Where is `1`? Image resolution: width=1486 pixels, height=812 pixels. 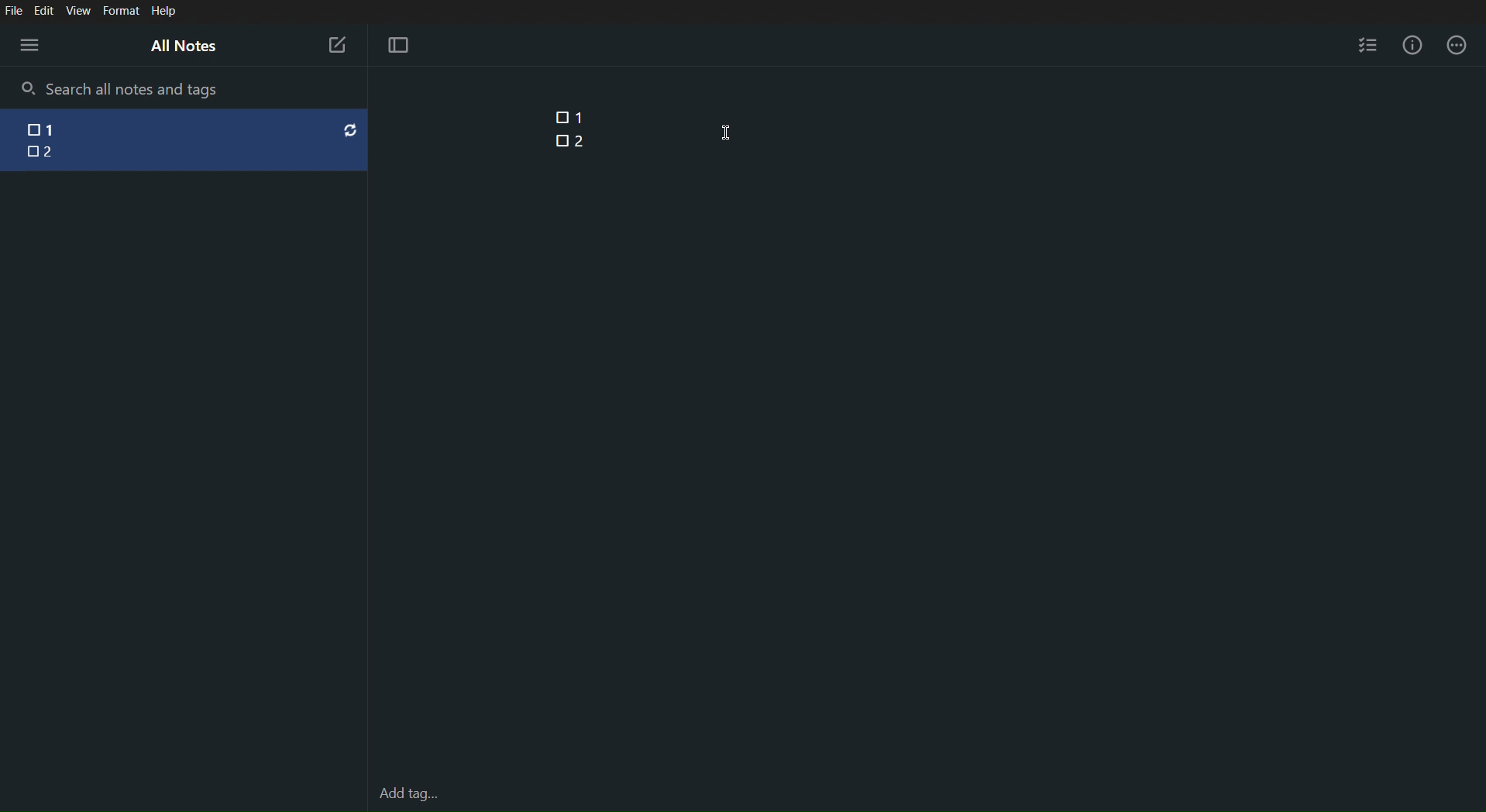
1 is located at coordinates (581, 117).